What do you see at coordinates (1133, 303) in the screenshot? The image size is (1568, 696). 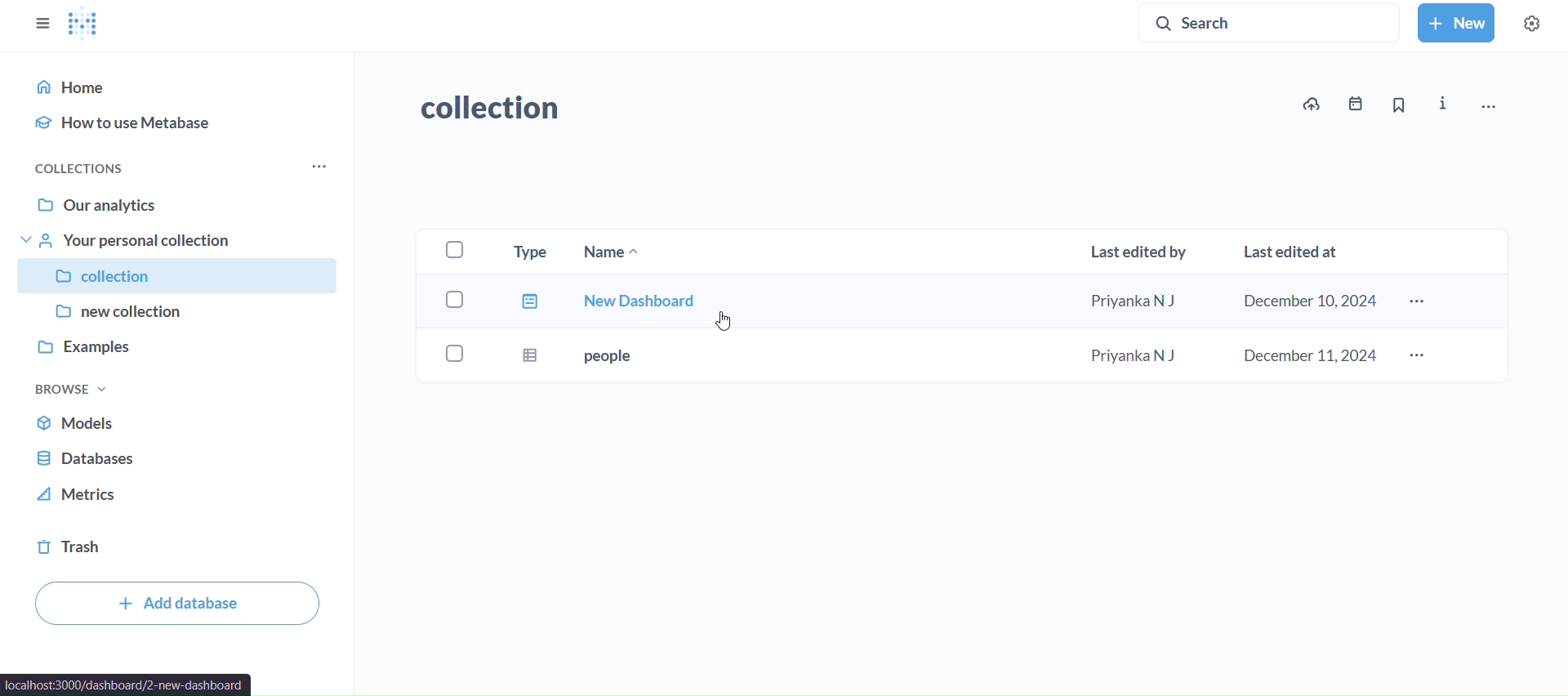 I see `Priyank N J` at bounding box center [1133, 303].